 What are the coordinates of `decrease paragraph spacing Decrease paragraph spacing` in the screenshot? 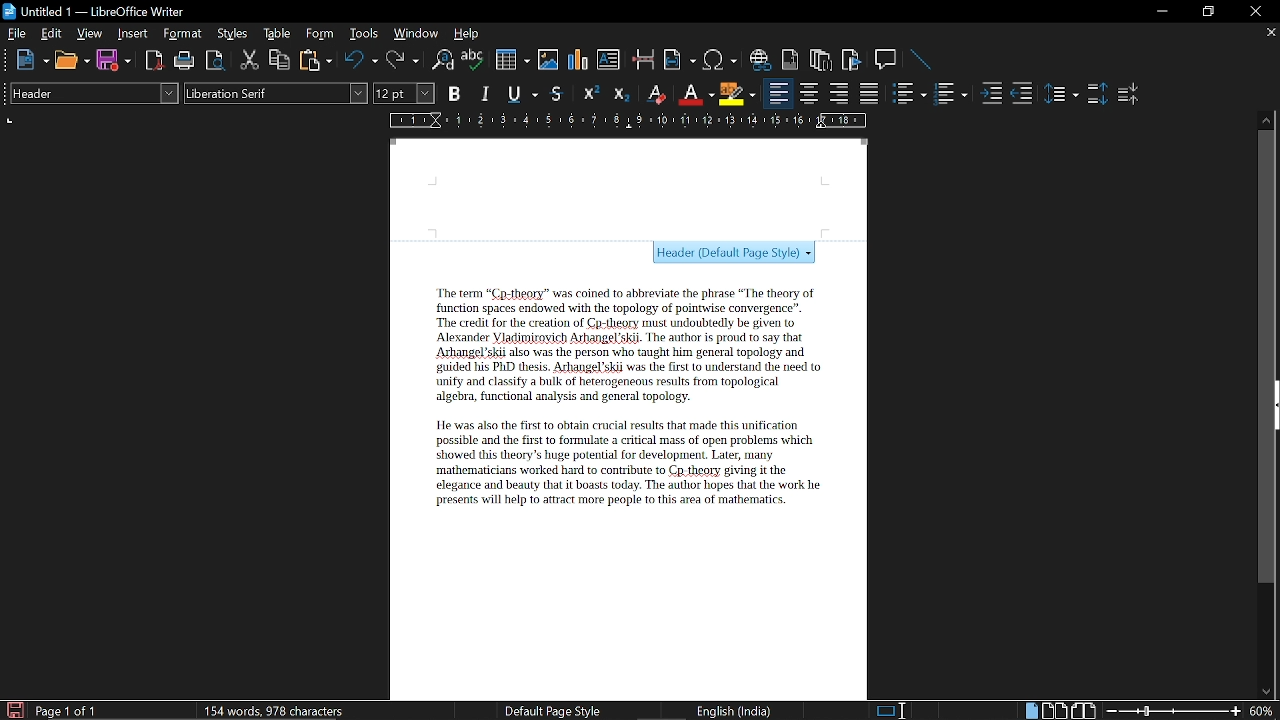 It's located at (1130, 93).